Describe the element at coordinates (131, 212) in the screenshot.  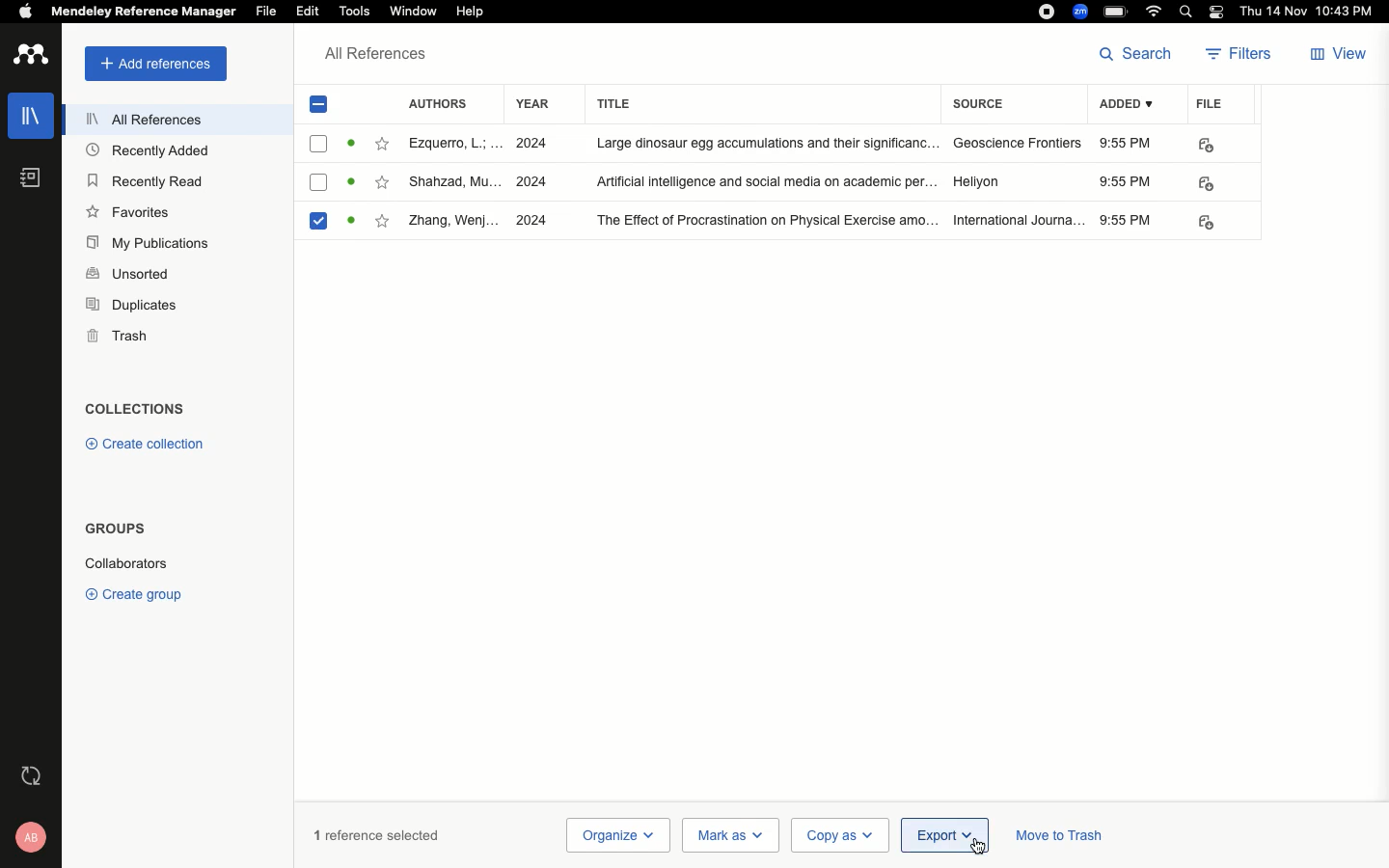
I see `Favorites` at that location.